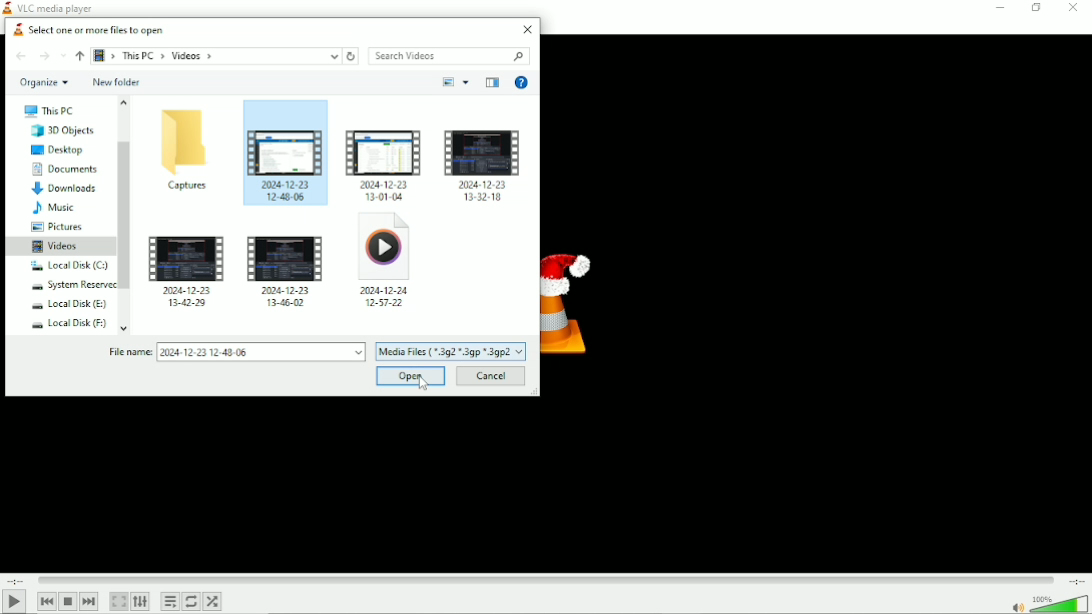 This screenshot has width=1092, height=614. What do you see at coordinates (383, 163) in the screenshot?
I see `video` at bounding box center [383, 163].